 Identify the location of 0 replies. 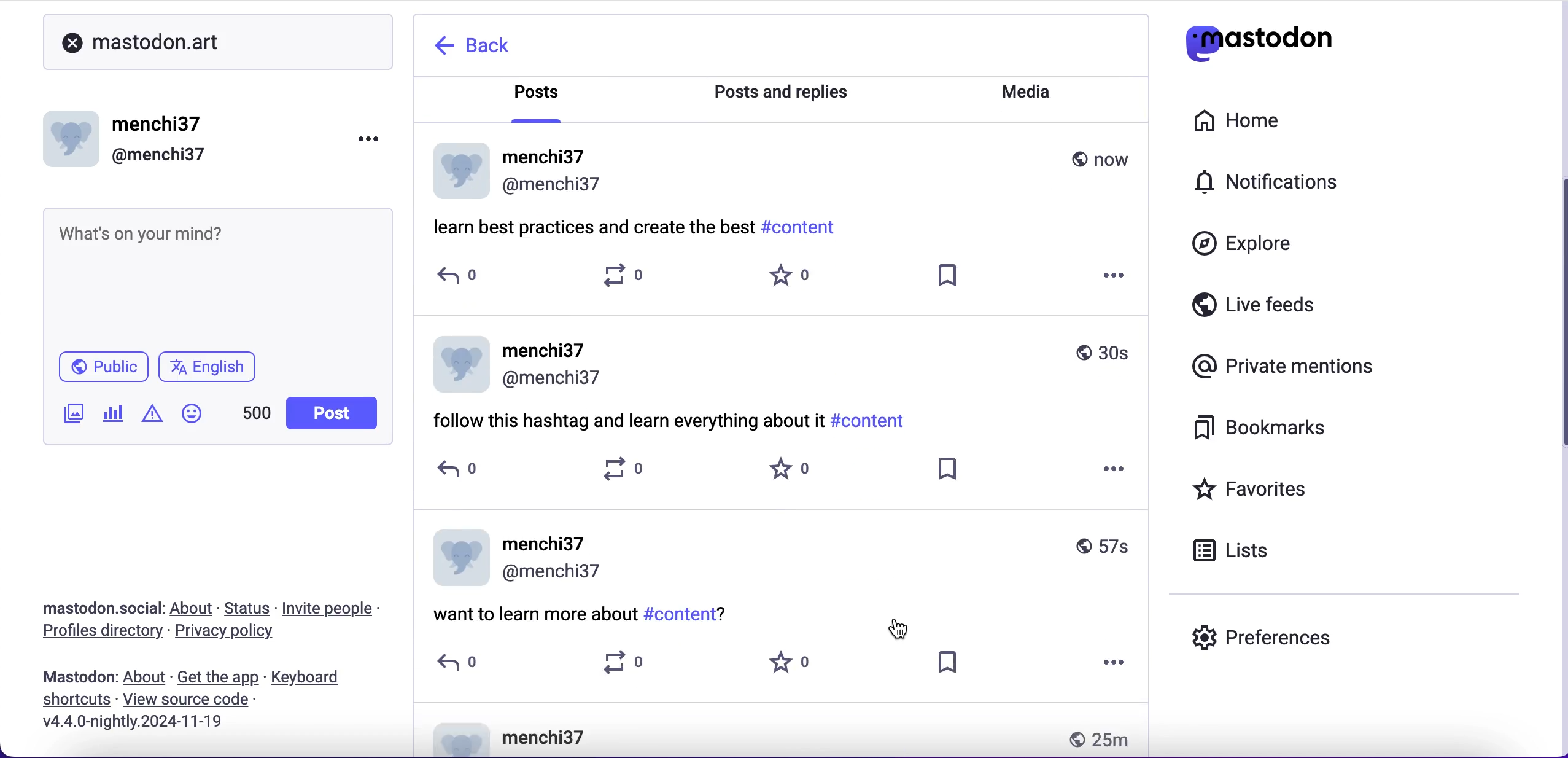
(482, 471).